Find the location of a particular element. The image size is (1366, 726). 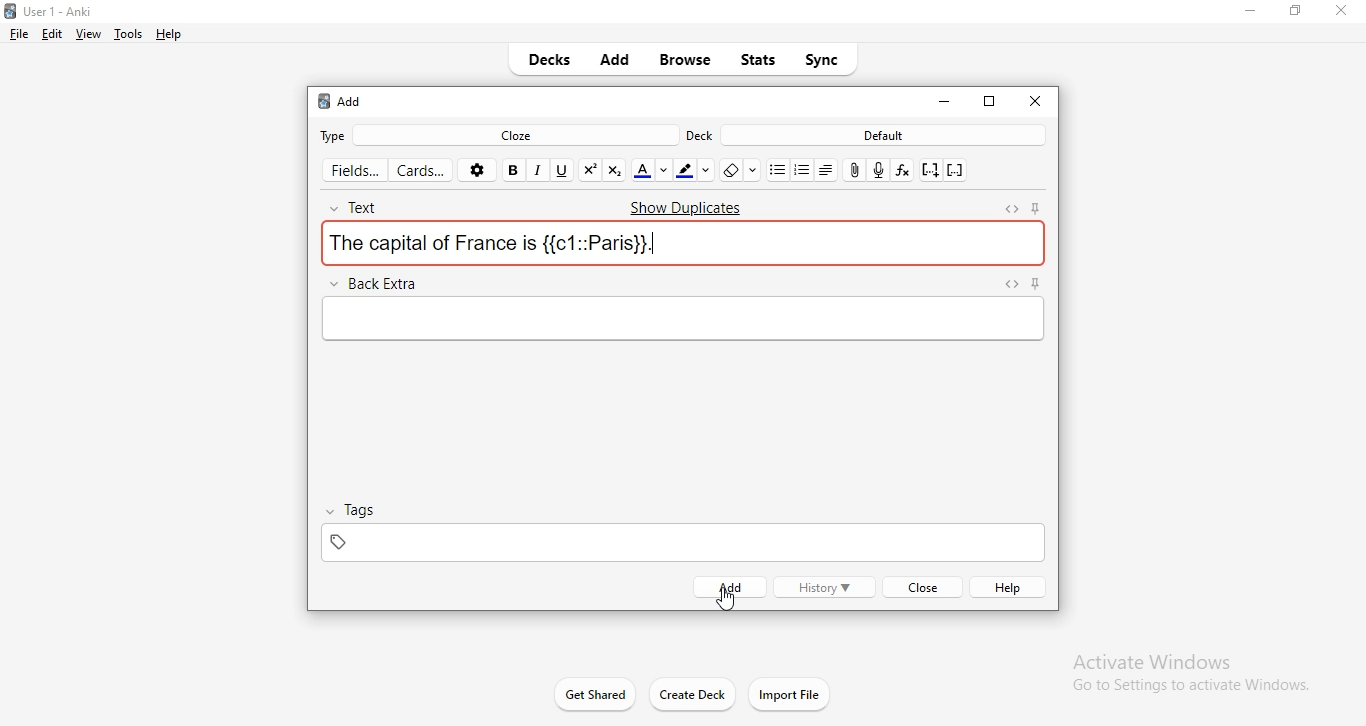

underline is located at coordinates (564, 169).